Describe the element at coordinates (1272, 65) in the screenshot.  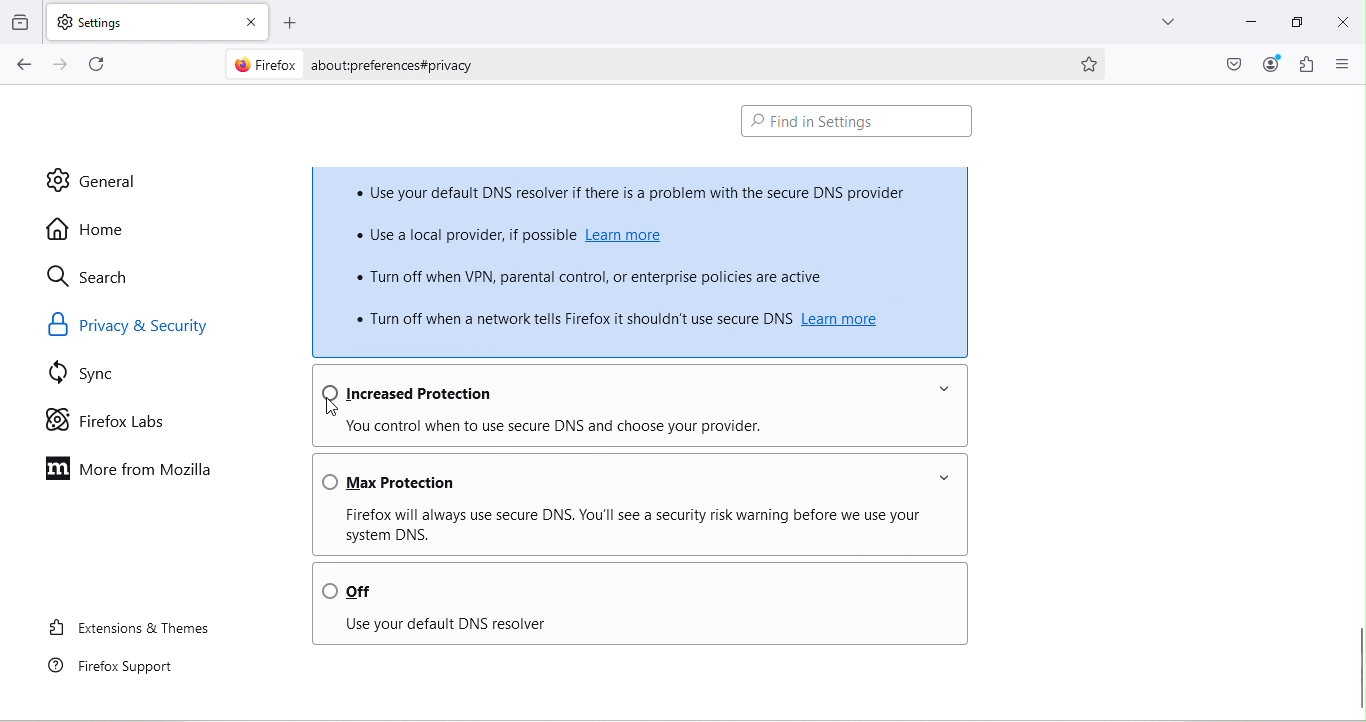
I see `Account` at that location.